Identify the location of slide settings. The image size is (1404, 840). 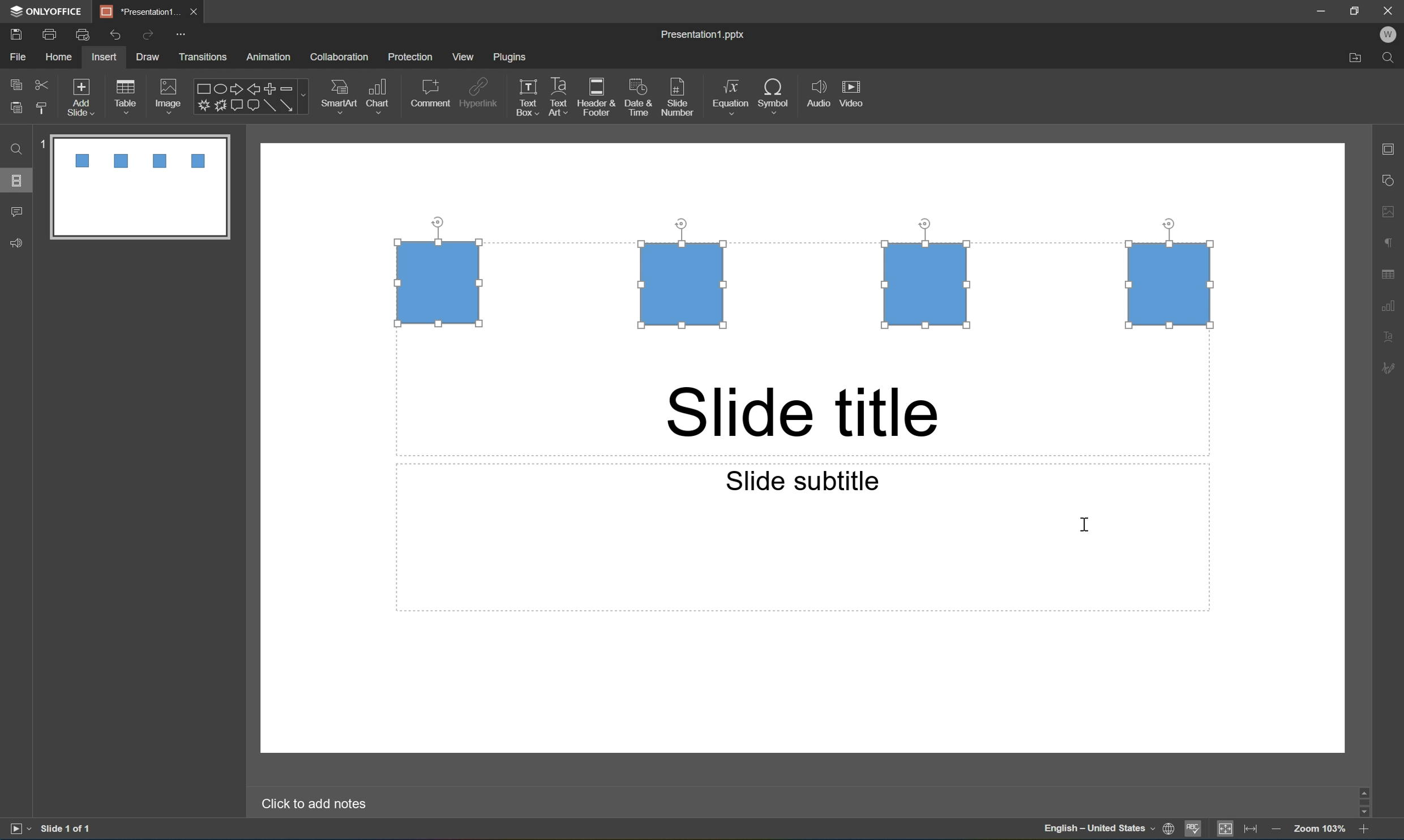
(1393, 150).